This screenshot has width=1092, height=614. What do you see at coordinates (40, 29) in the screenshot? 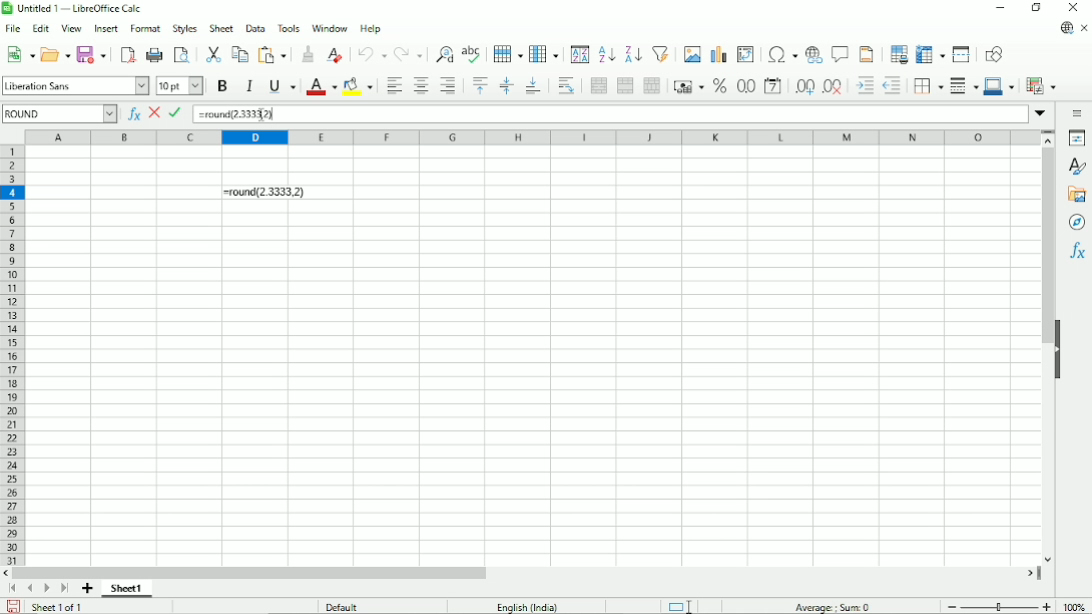
I see `Edit` at bounding box center [40, 29].